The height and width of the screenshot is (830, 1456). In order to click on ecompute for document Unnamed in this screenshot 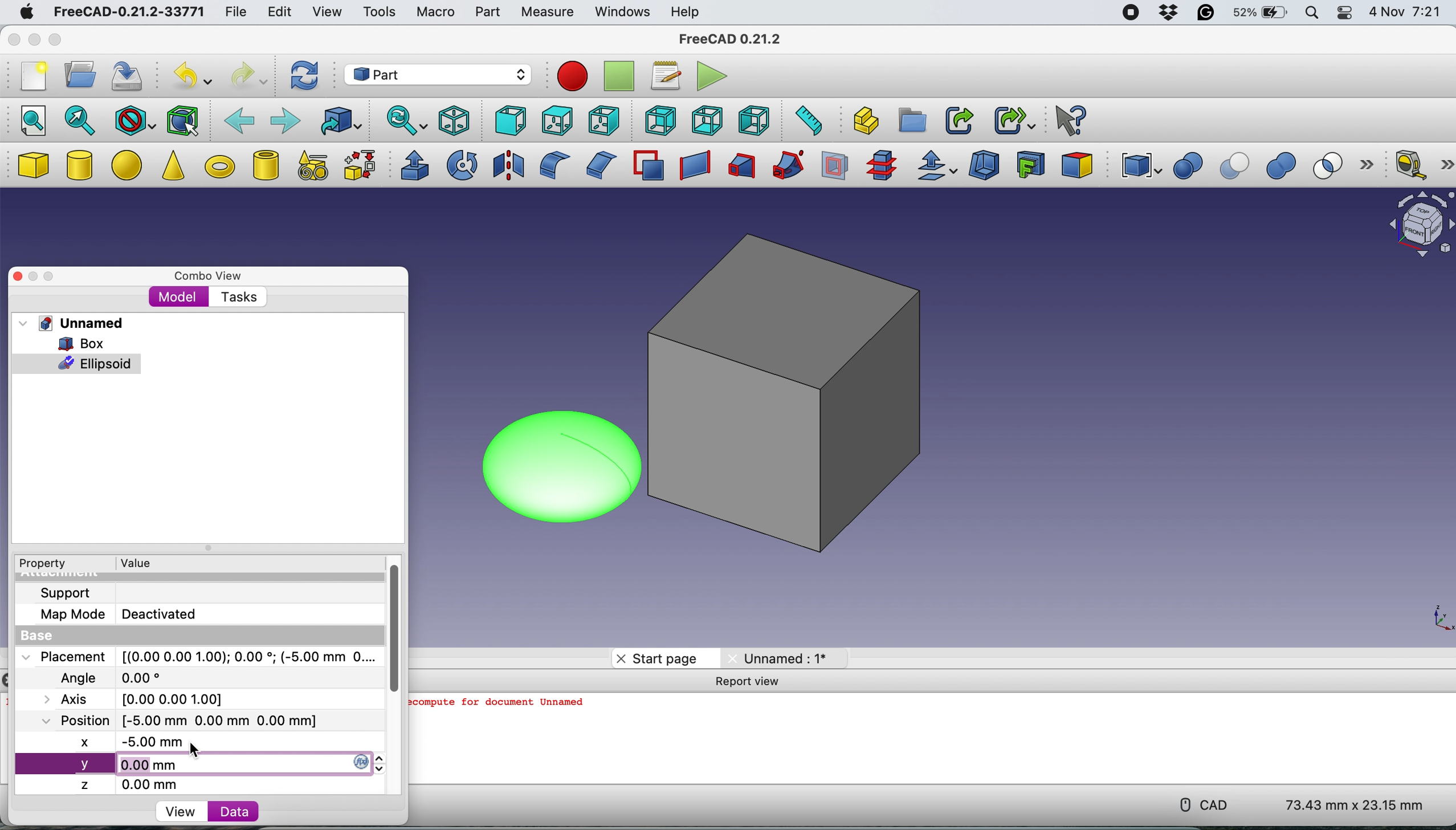, I will do `click(501, 706)`.